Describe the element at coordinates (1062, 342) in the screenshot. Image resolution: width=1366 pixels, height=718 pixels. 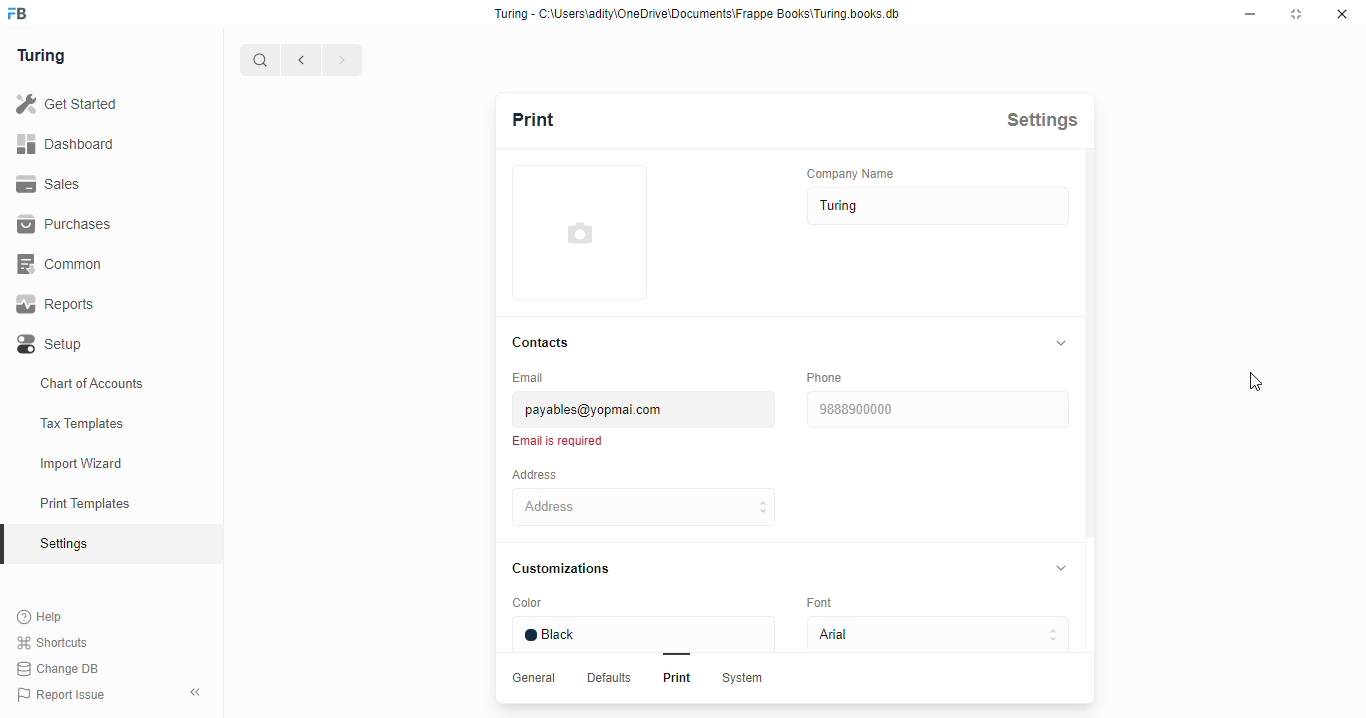
I see `collapse` at that location.